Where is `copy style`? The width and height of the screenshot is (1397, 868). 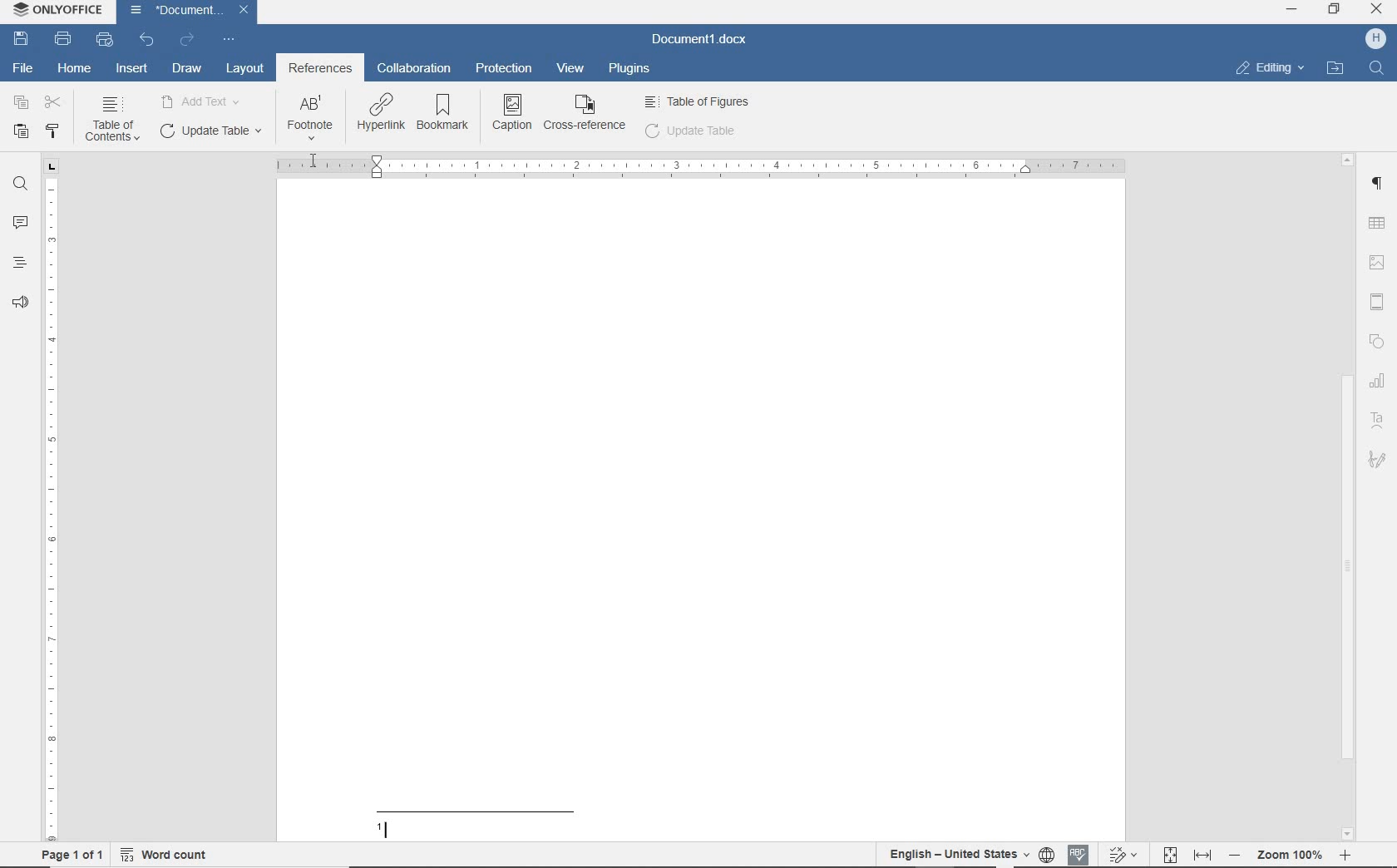
copy style is located at coordinates (54, 132).